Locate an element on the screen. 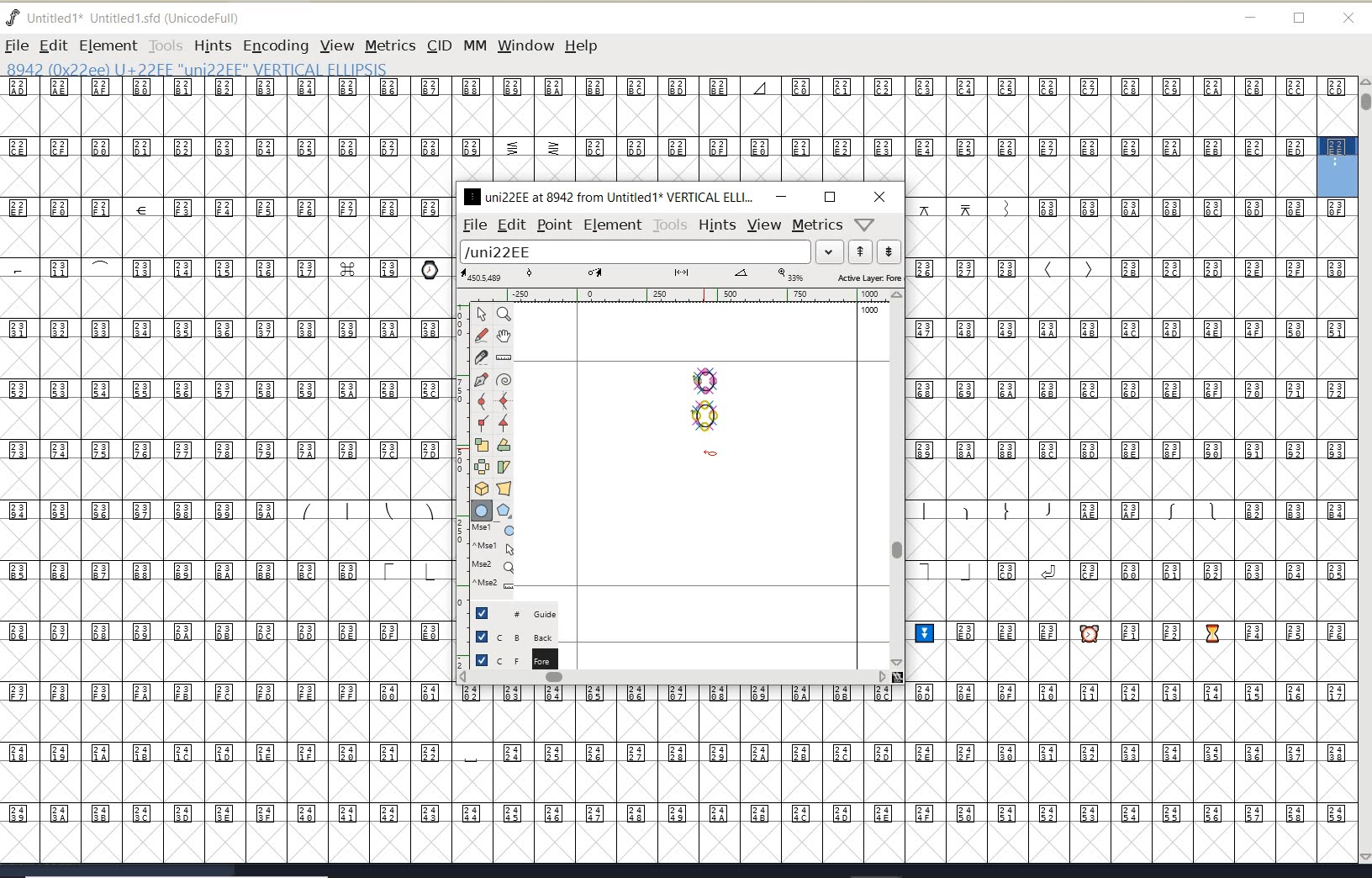 This screenshot has width=1372, height=878. point is located at coordinates (553, 225).